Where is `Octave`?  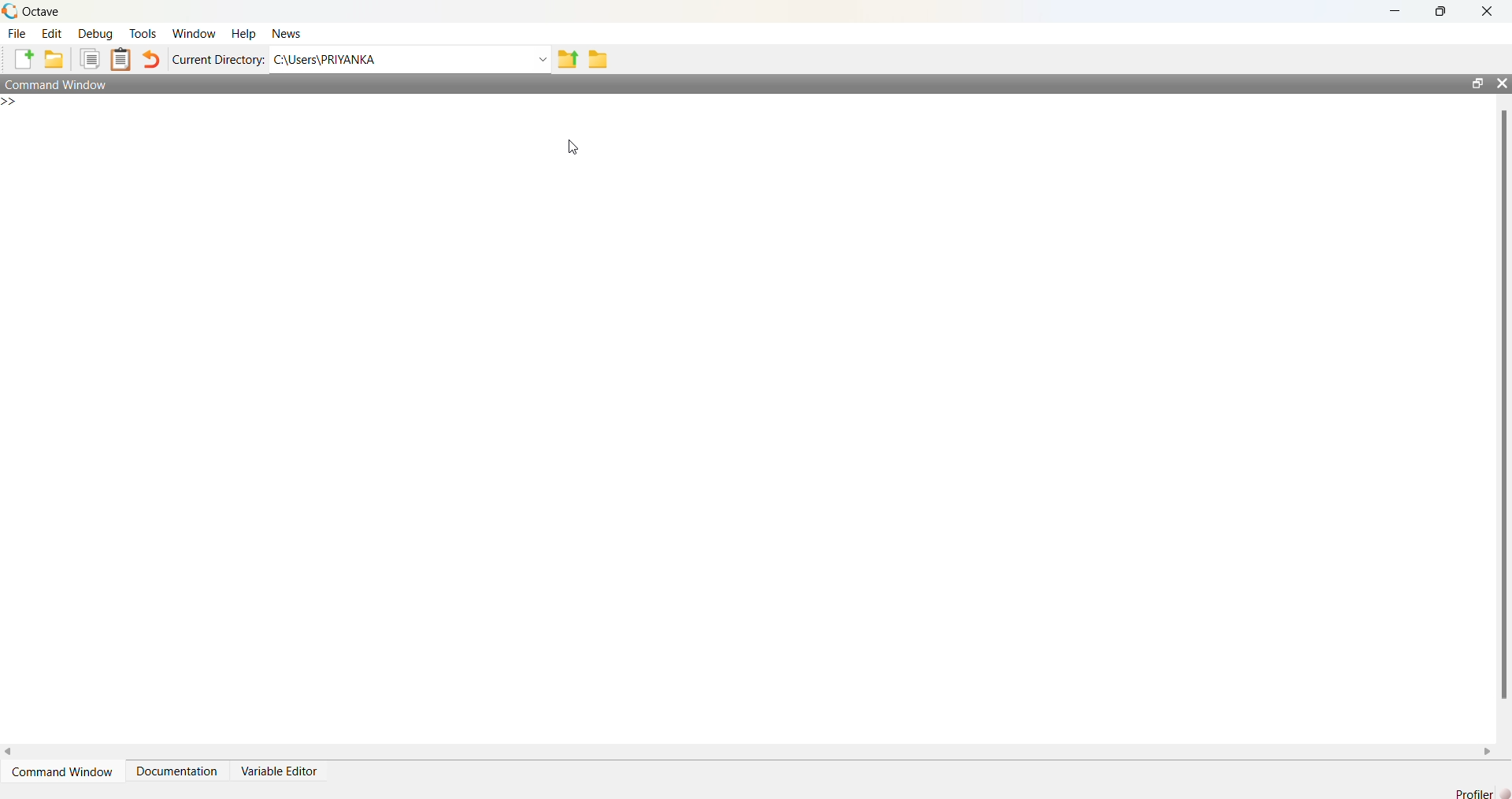 Octave is located at coordinates (42, 12).